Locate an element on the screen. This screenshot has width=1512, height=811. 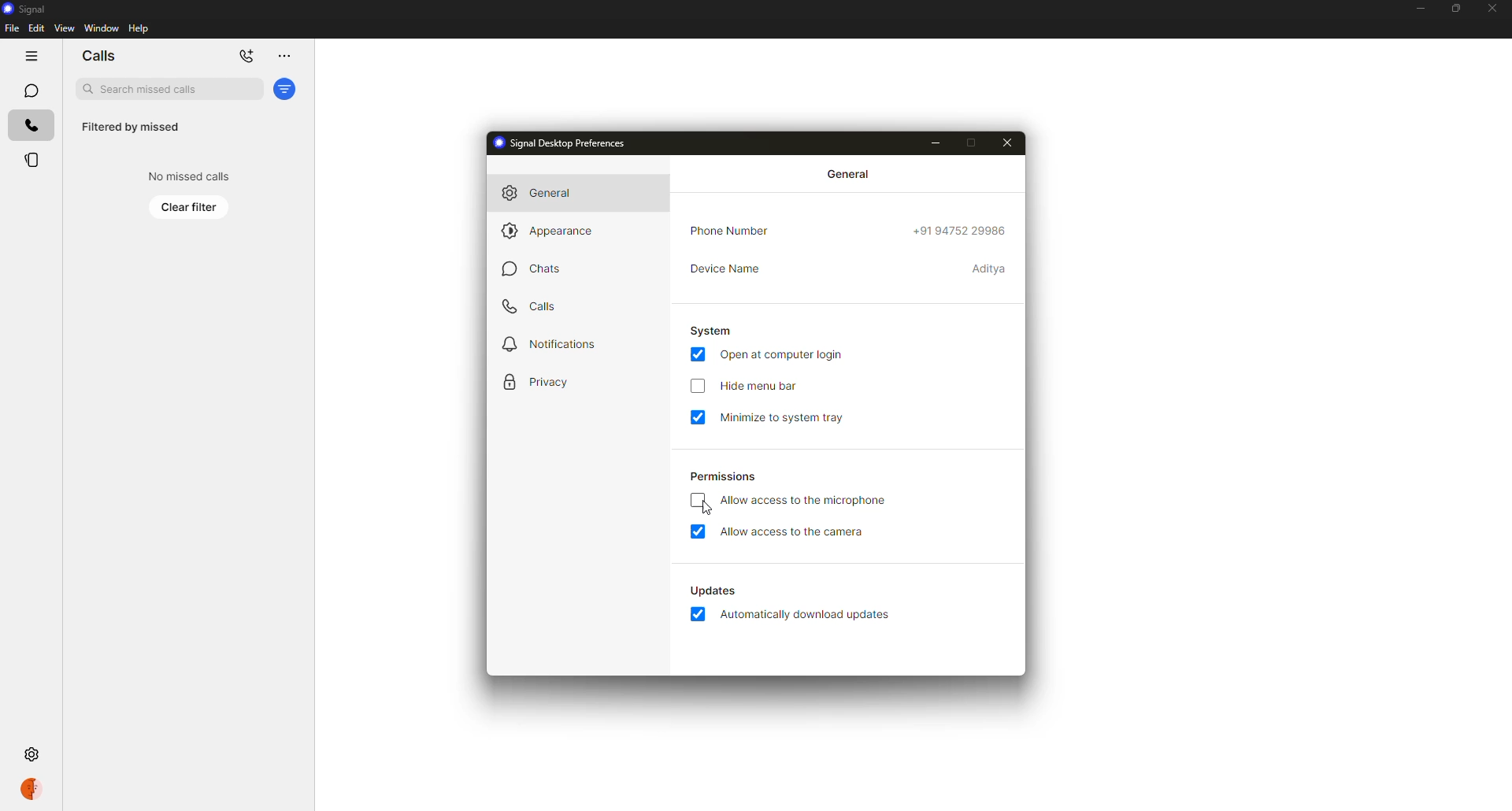
calls is located at coordinates (31, 126).